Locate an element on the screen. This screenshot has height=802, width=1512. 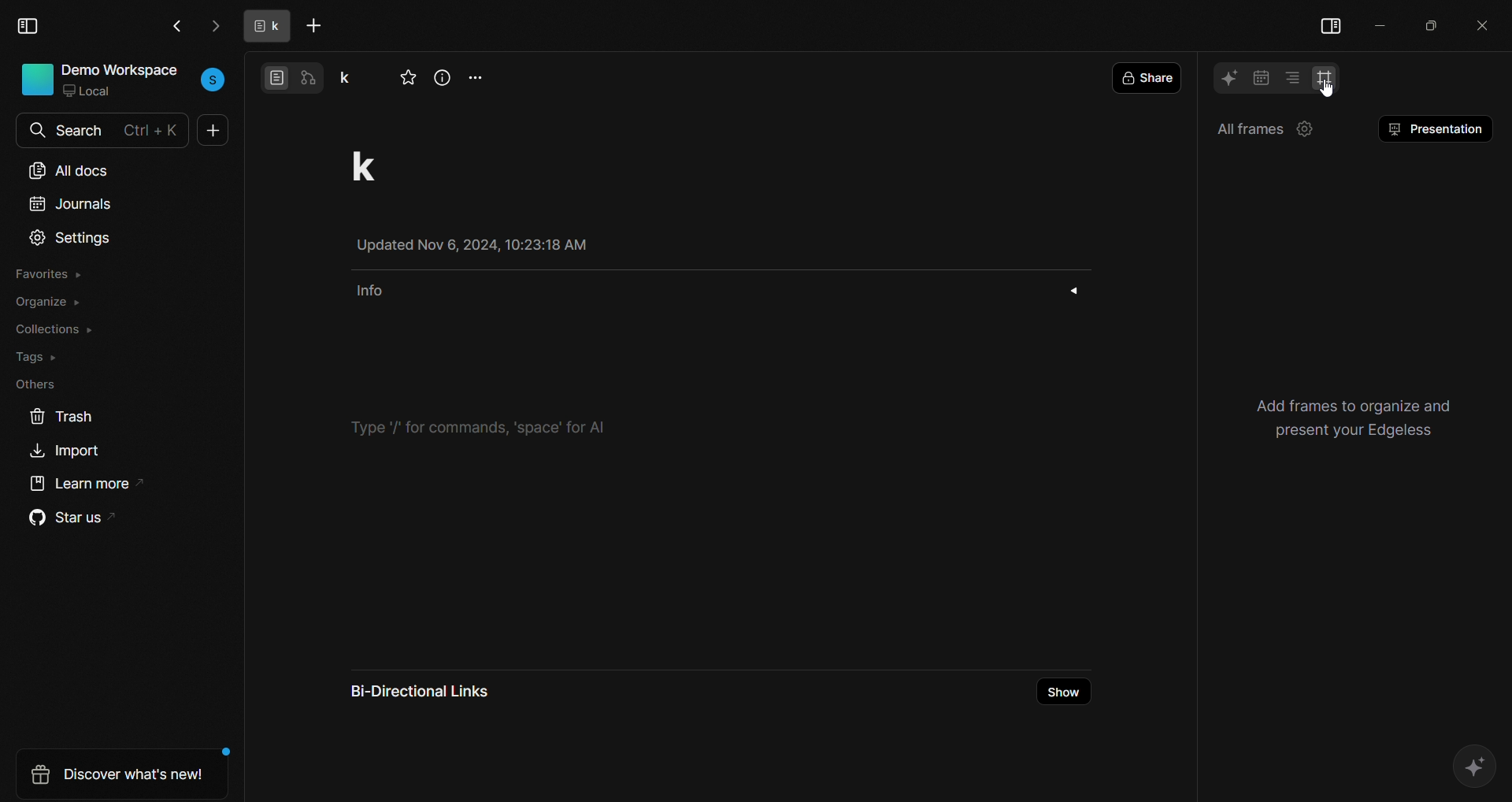
show is located at coordinates (1065, 692).